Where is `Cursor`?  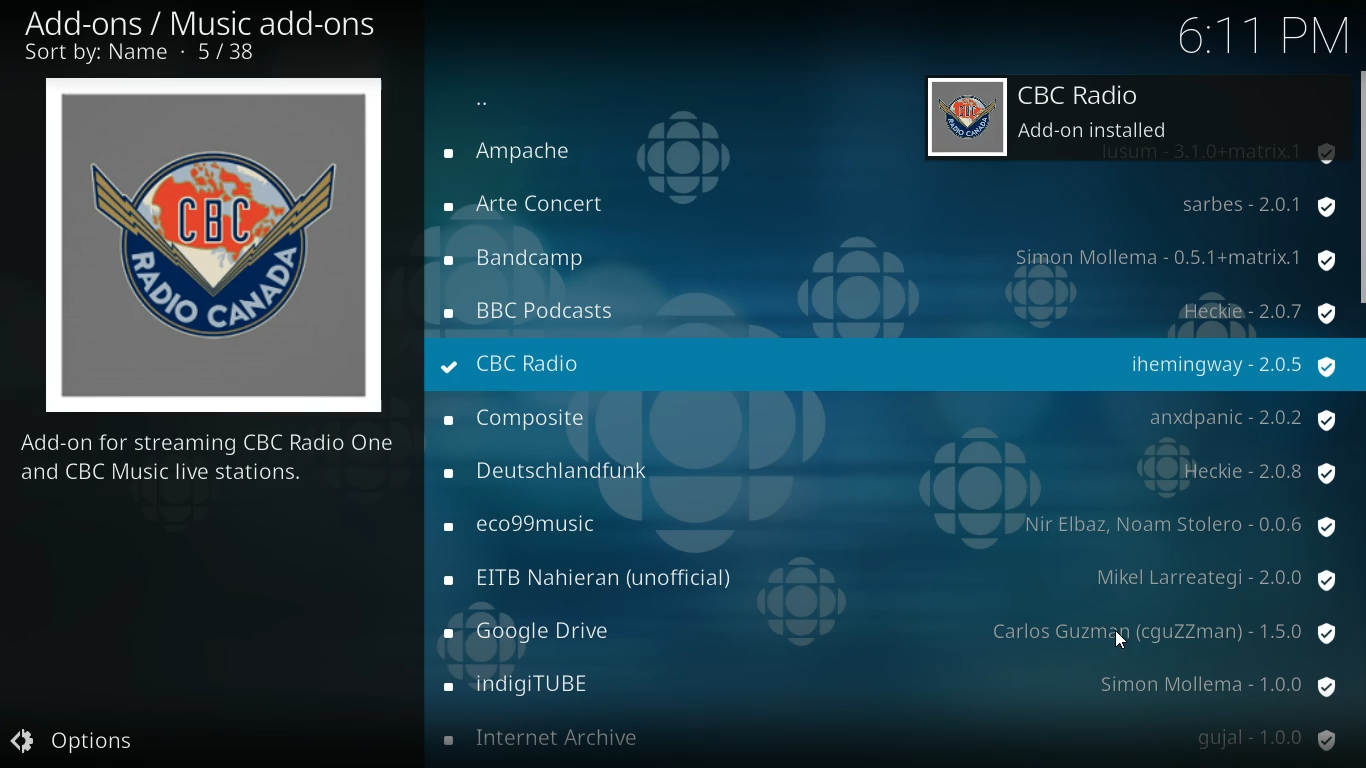
Cursor is located at coordinates (1123, 641).